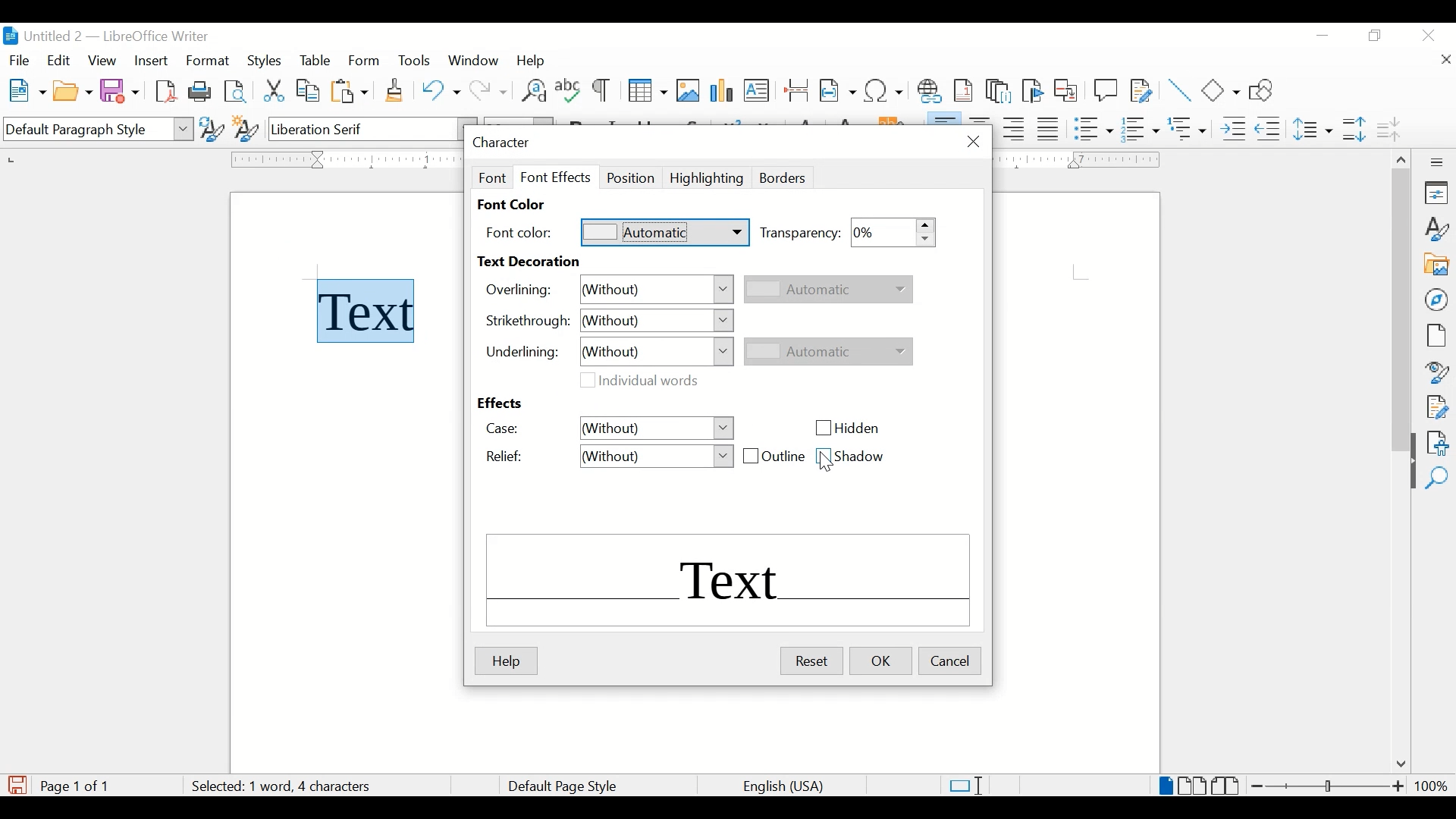 The image size is (1456, 819). What do you see at coordinates (1438, 370) in the screenshot?
I see `style inspector` at bounding box center [1438, 370].